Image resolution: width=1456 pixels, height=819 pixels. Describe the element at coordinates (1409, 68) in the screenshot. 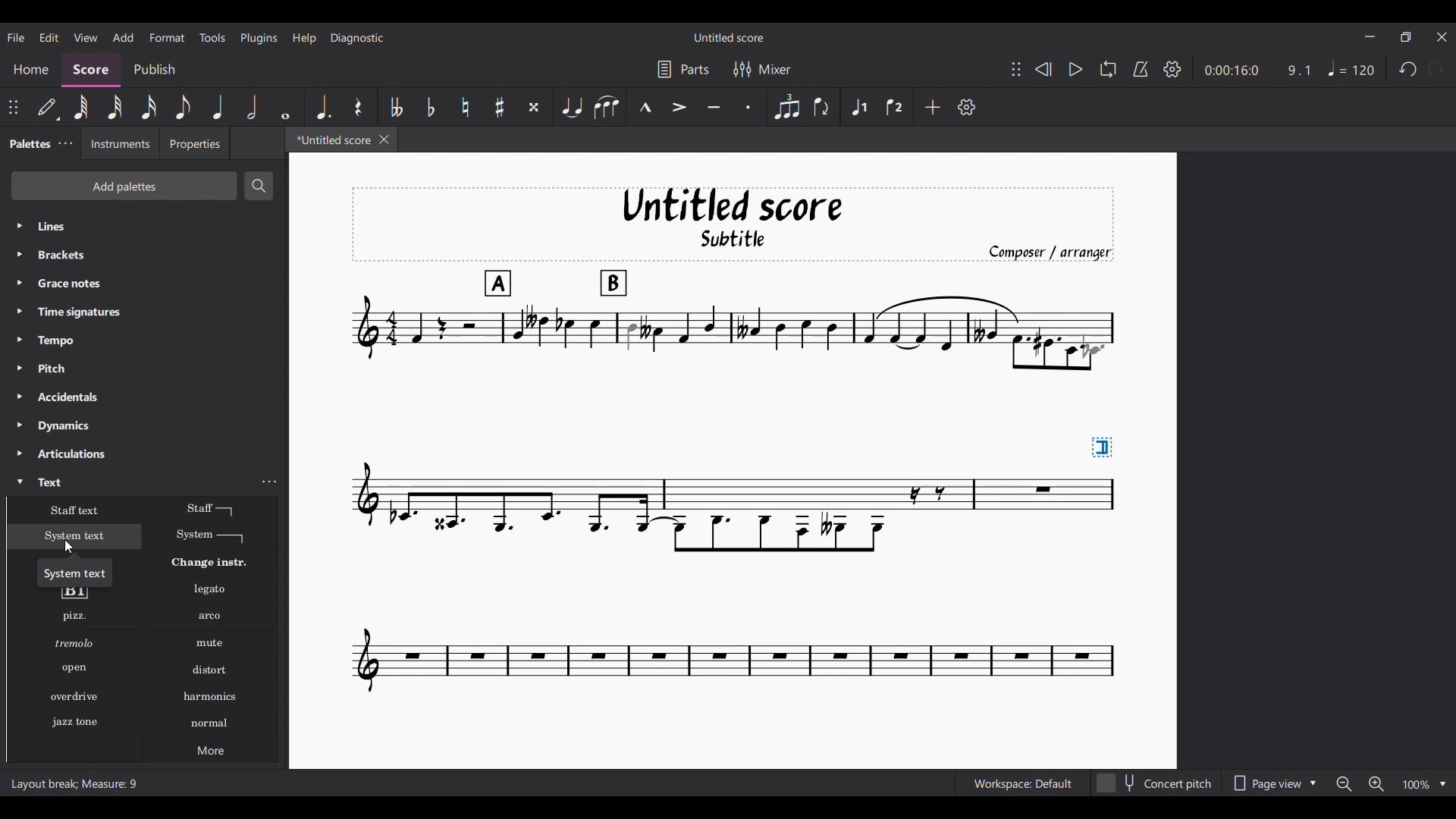

I see `Undo` at that location.